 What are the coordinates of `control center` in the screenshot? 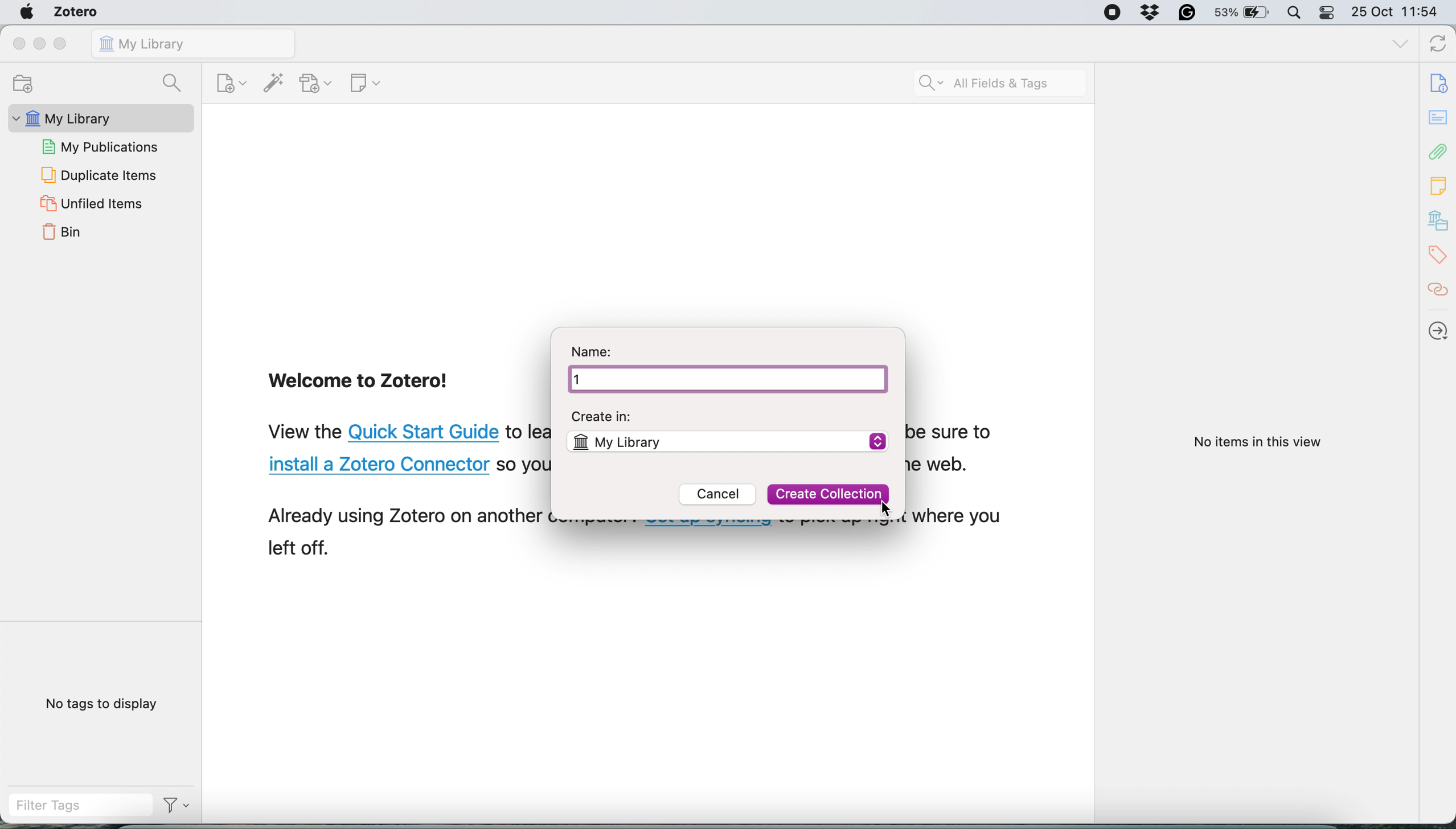 It's located at (1328, 13).